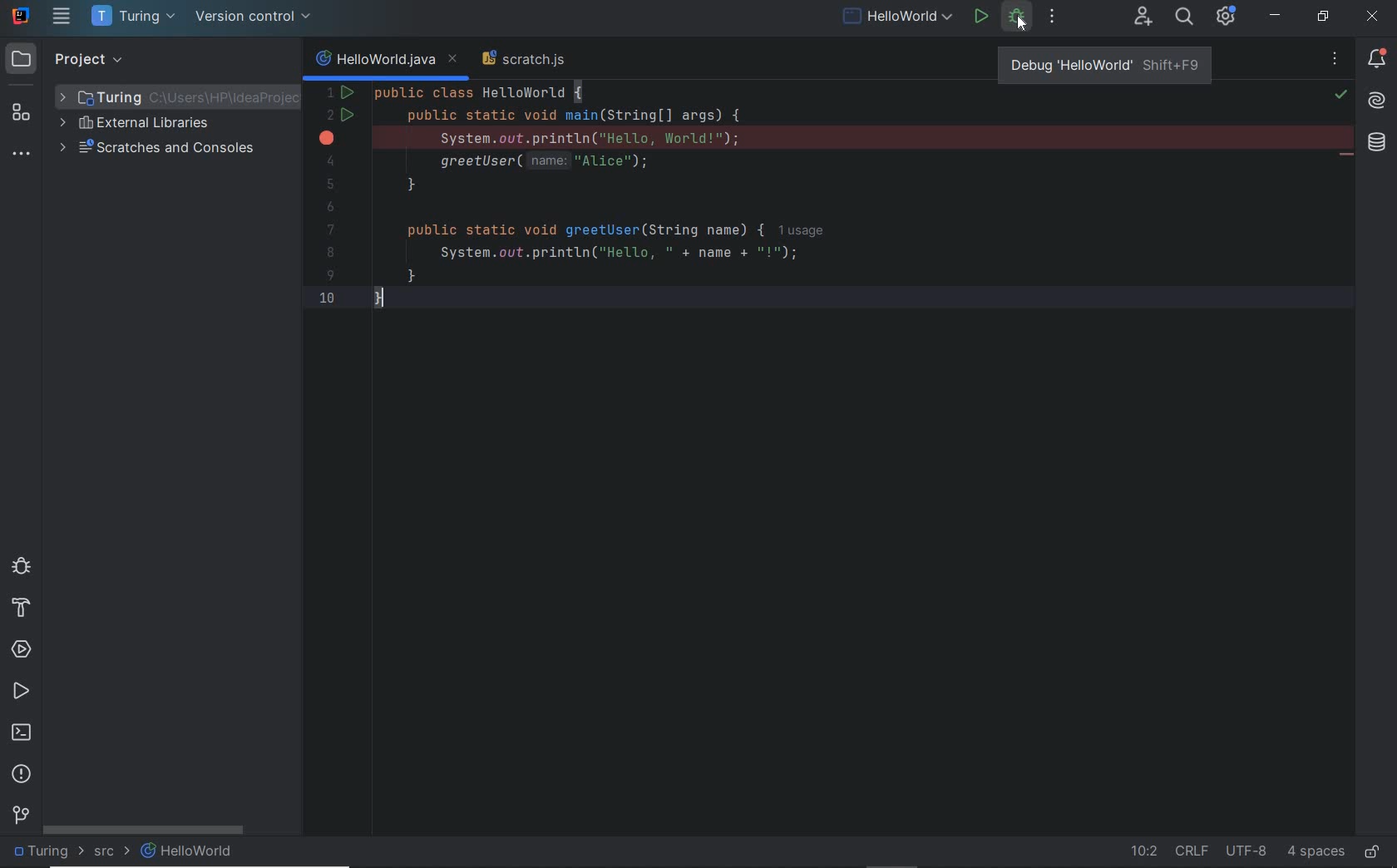 Image resolution: width=1397 pixels, height=868 pixels. What do you see at coordinates (1375, 145) in the screenshot?
I see `database` at bounding box center [1375, 145].